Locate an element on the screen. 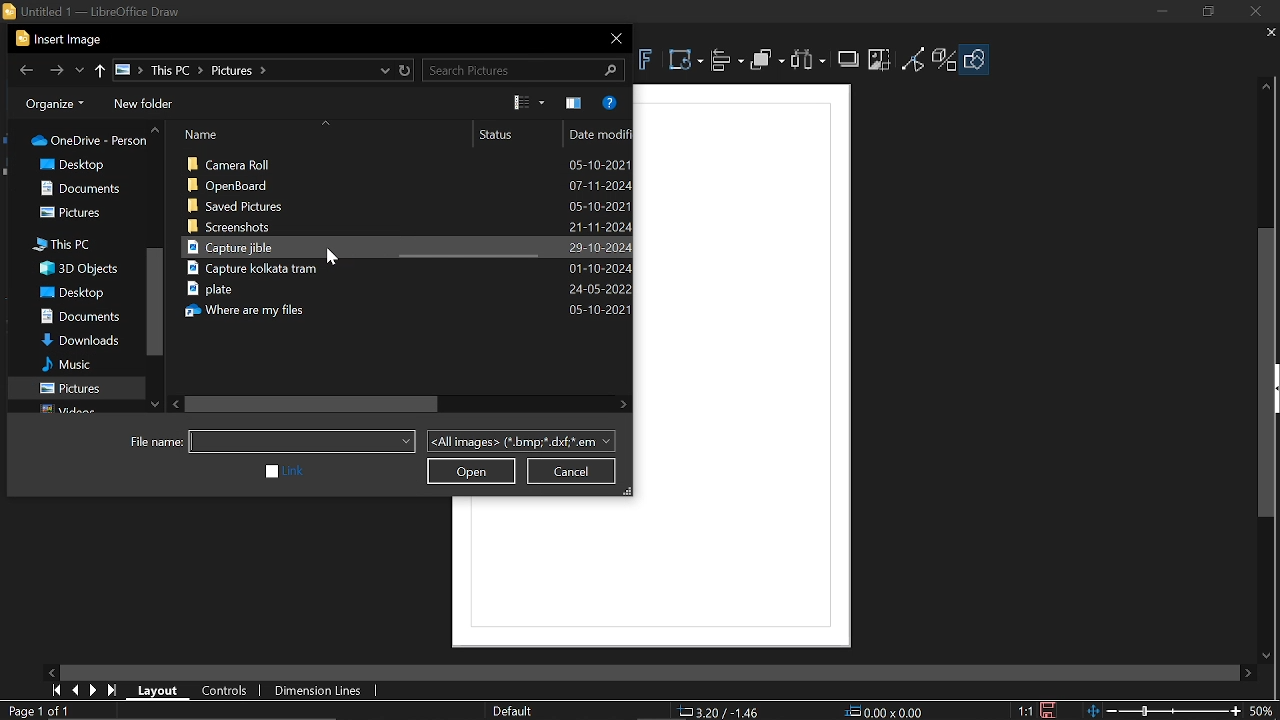 This screenshot has height=720, width=1280. Move right is located at coordinates (627, 404).